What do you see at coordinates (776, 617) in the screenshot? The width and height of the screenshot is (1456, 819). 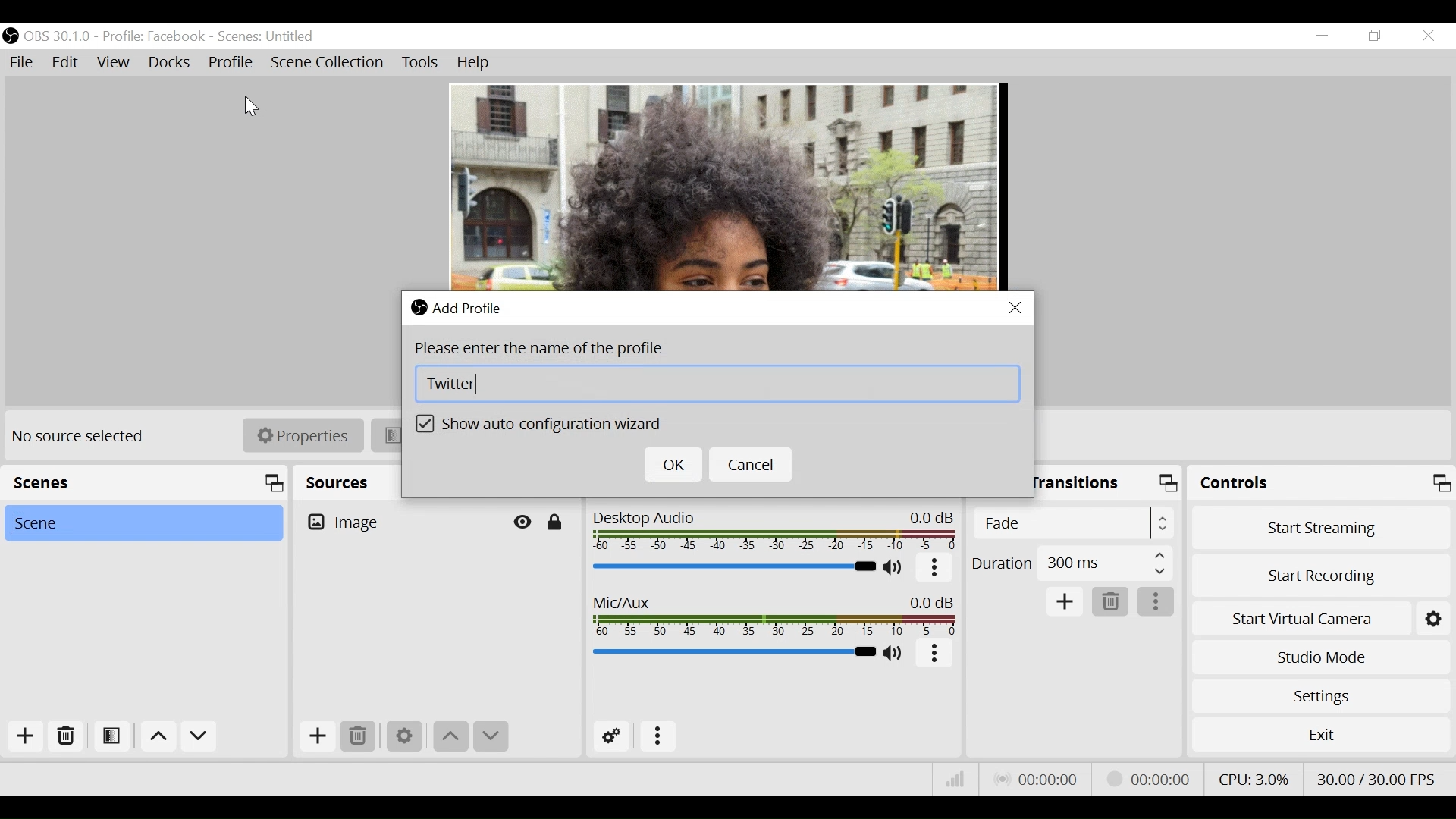 I see `Mic/Aux` at bounding box center [776, 617].